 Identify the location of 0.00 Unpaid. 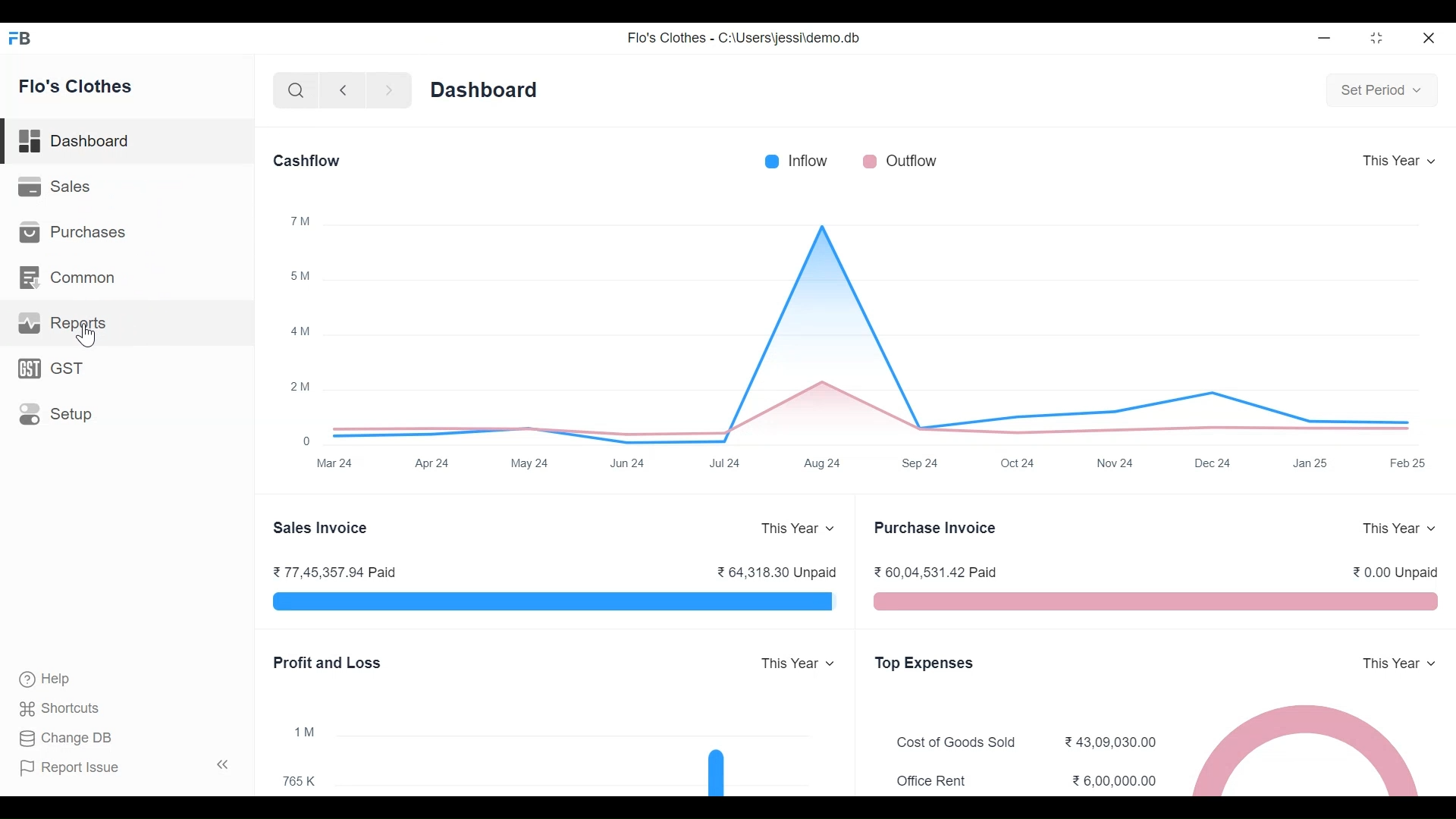
(1397, 573).